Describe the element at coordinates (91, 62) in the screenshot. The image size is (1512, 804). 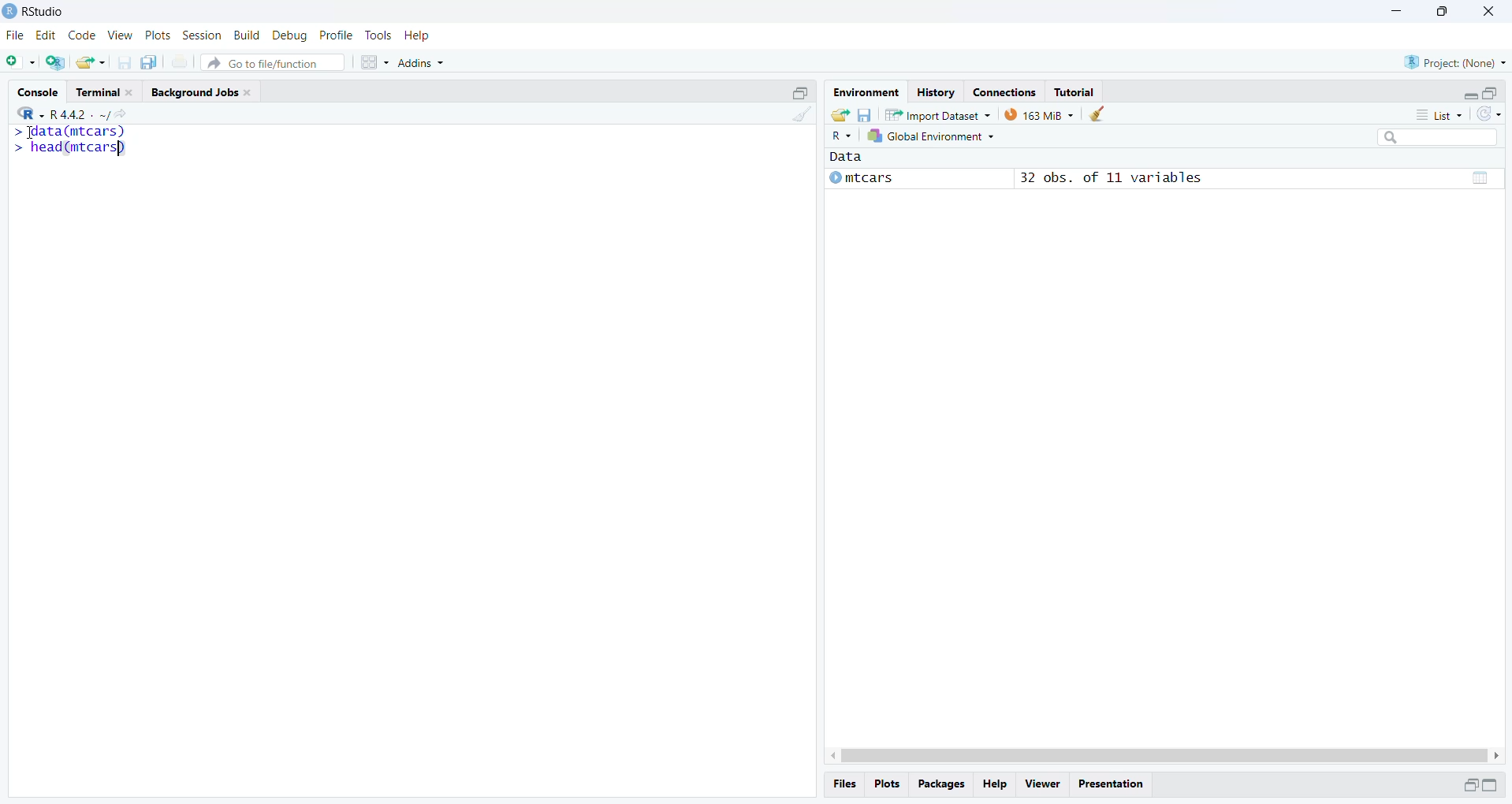
I see `share as` at that location.